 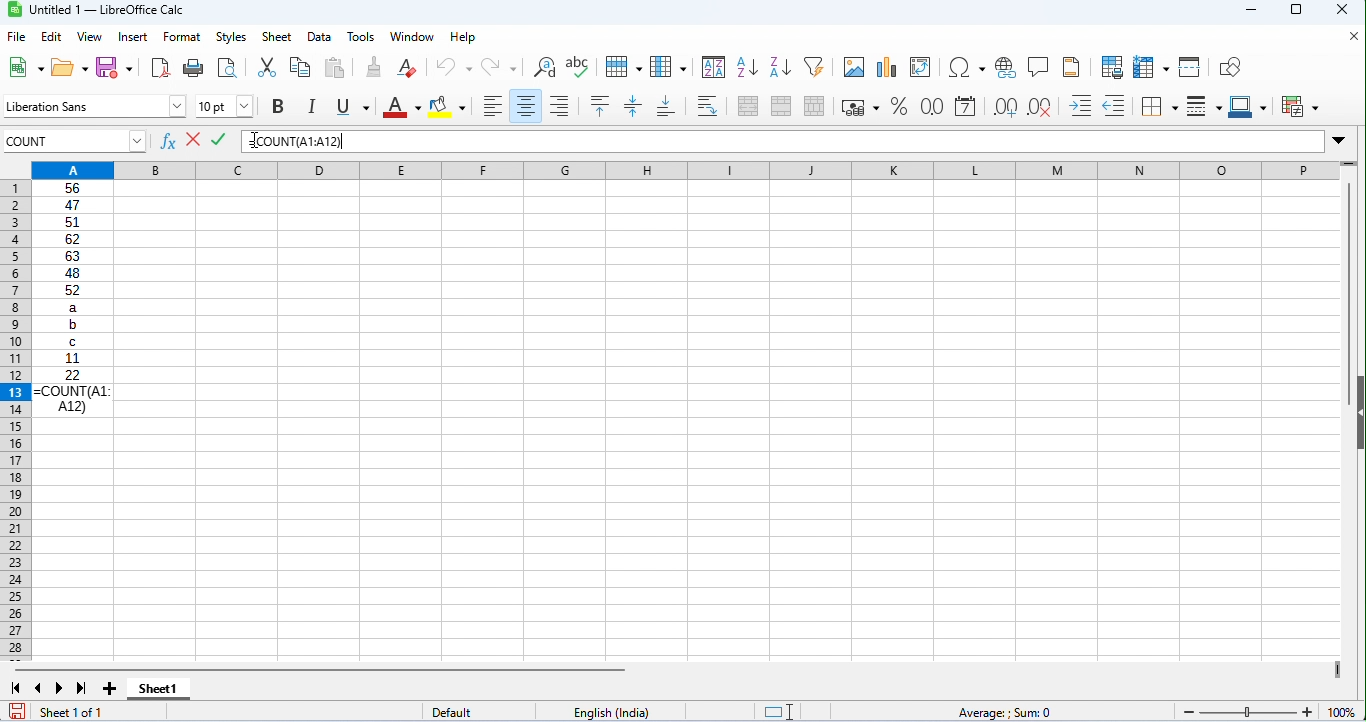 What do you see at coordinates (1299, 105) in the screenshot?
I see `conditional` at bounding box center [1299, 105].